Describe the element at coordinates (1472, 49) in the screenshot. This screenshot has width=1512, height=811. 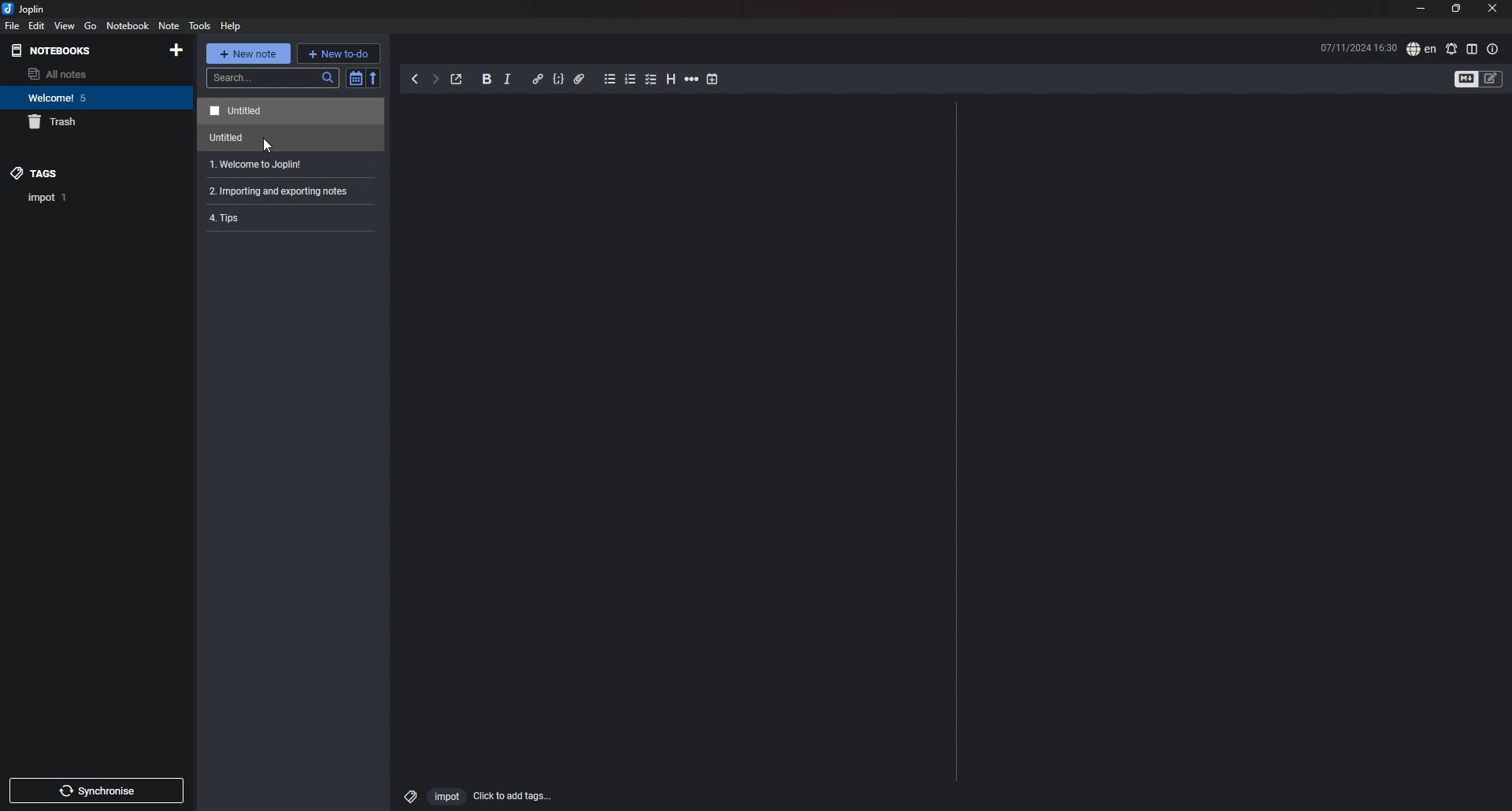
I see `toggle editor layout` at that location.